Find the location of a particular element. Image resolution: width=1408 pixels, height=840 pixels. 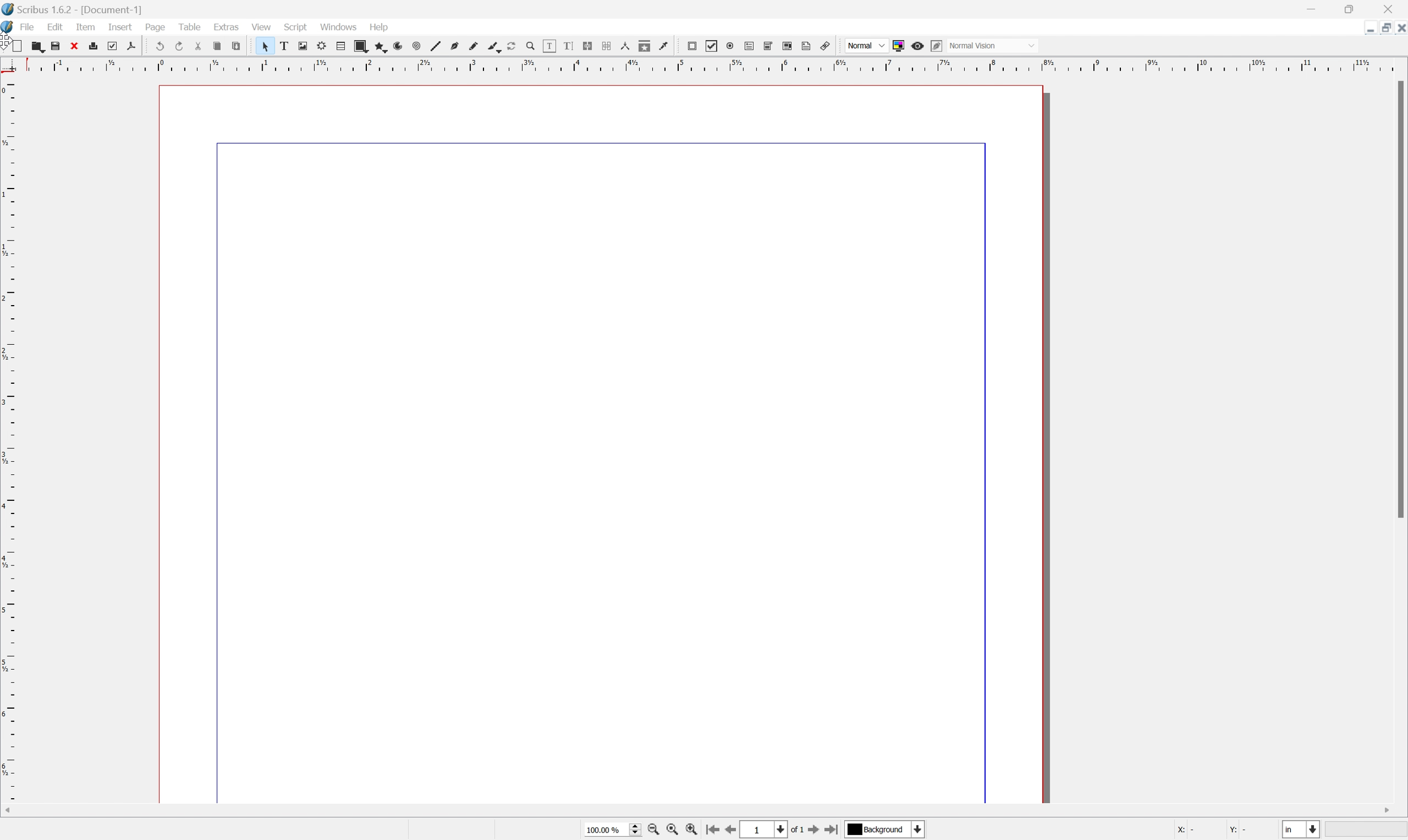

page is located at coordinates (156, 27).